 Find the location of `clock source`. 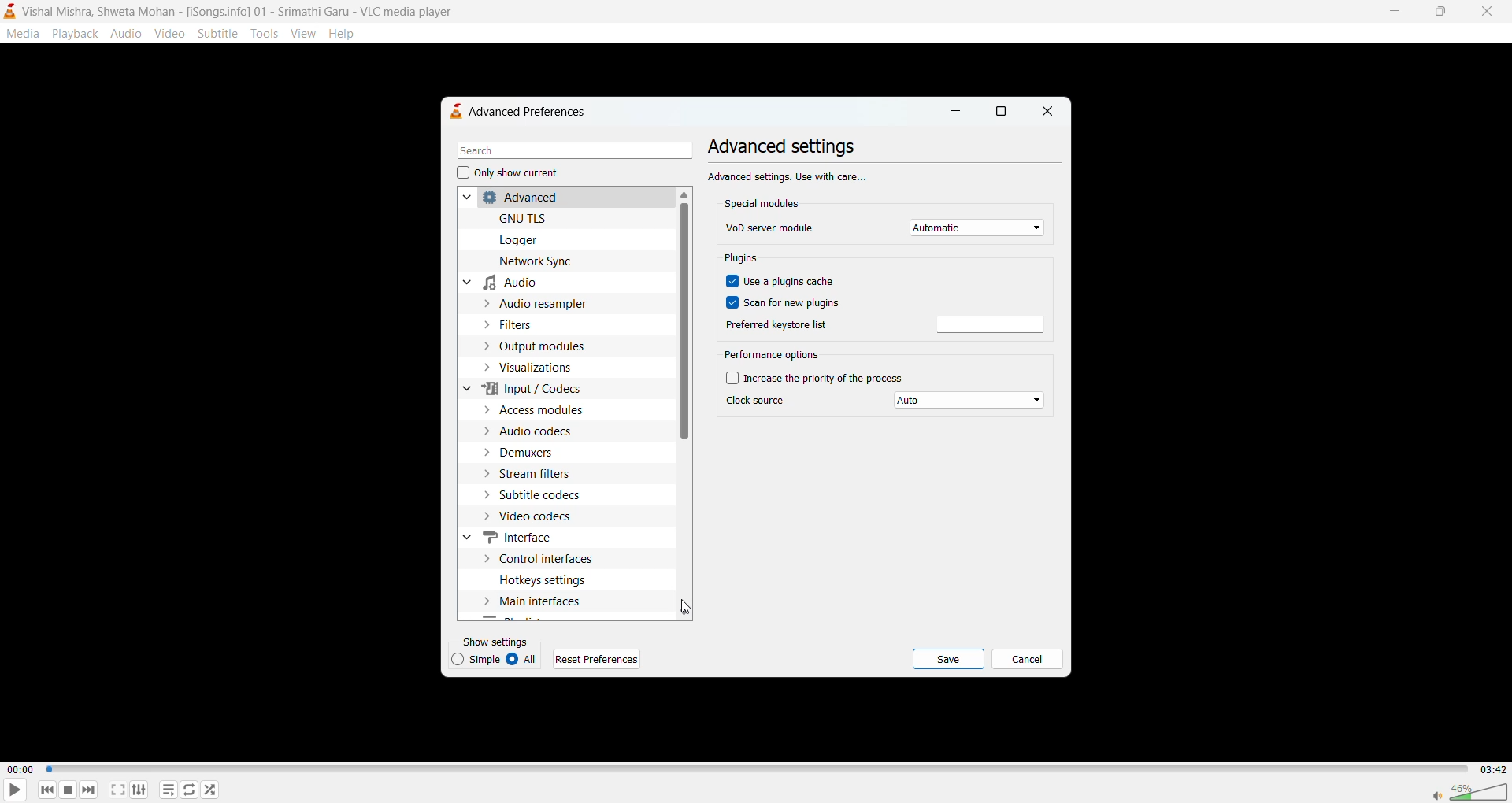

clock source is located at coordinates (757, 399).